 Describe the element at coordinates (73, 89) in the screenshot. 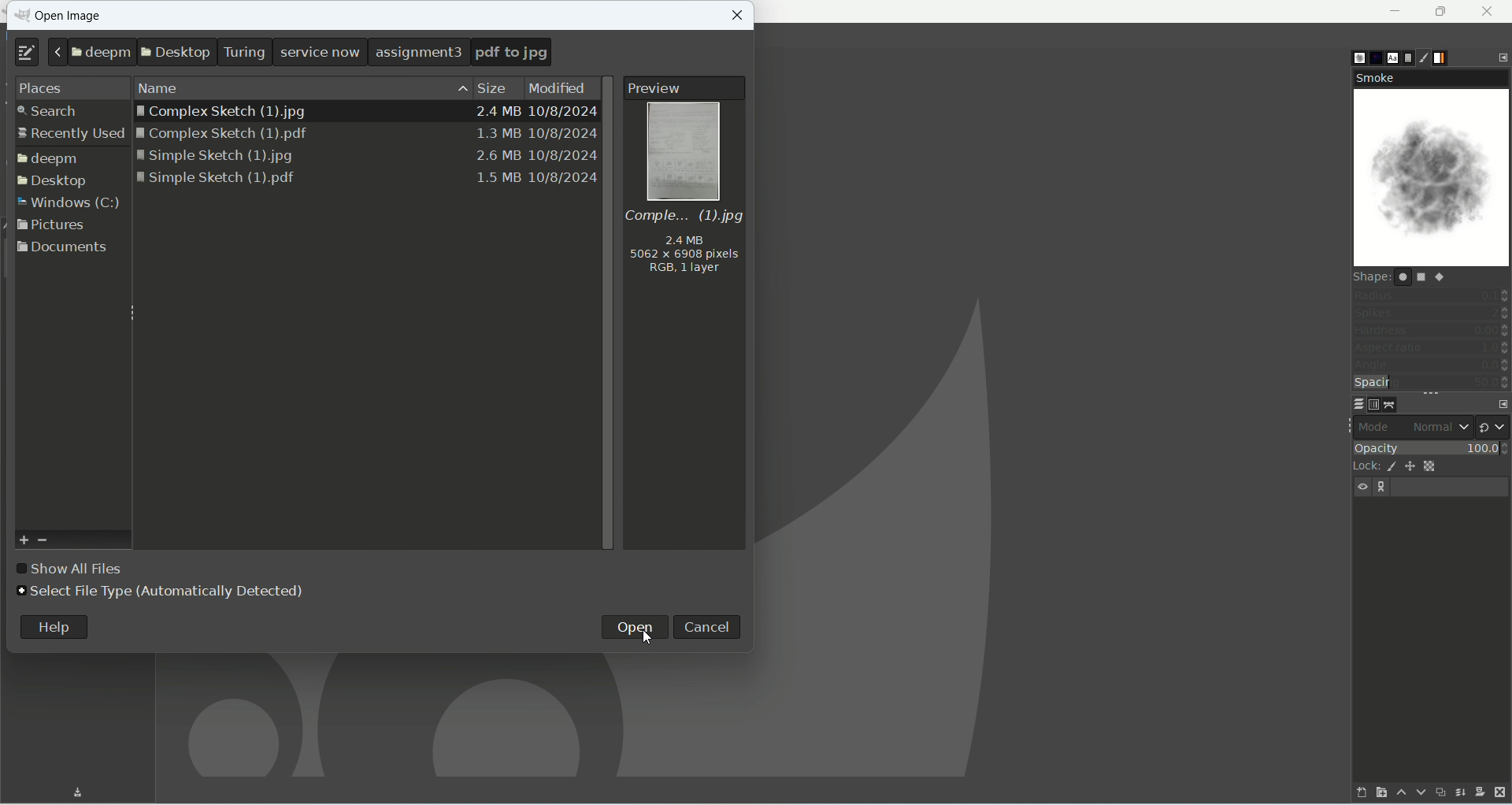

I see `places` at that location.